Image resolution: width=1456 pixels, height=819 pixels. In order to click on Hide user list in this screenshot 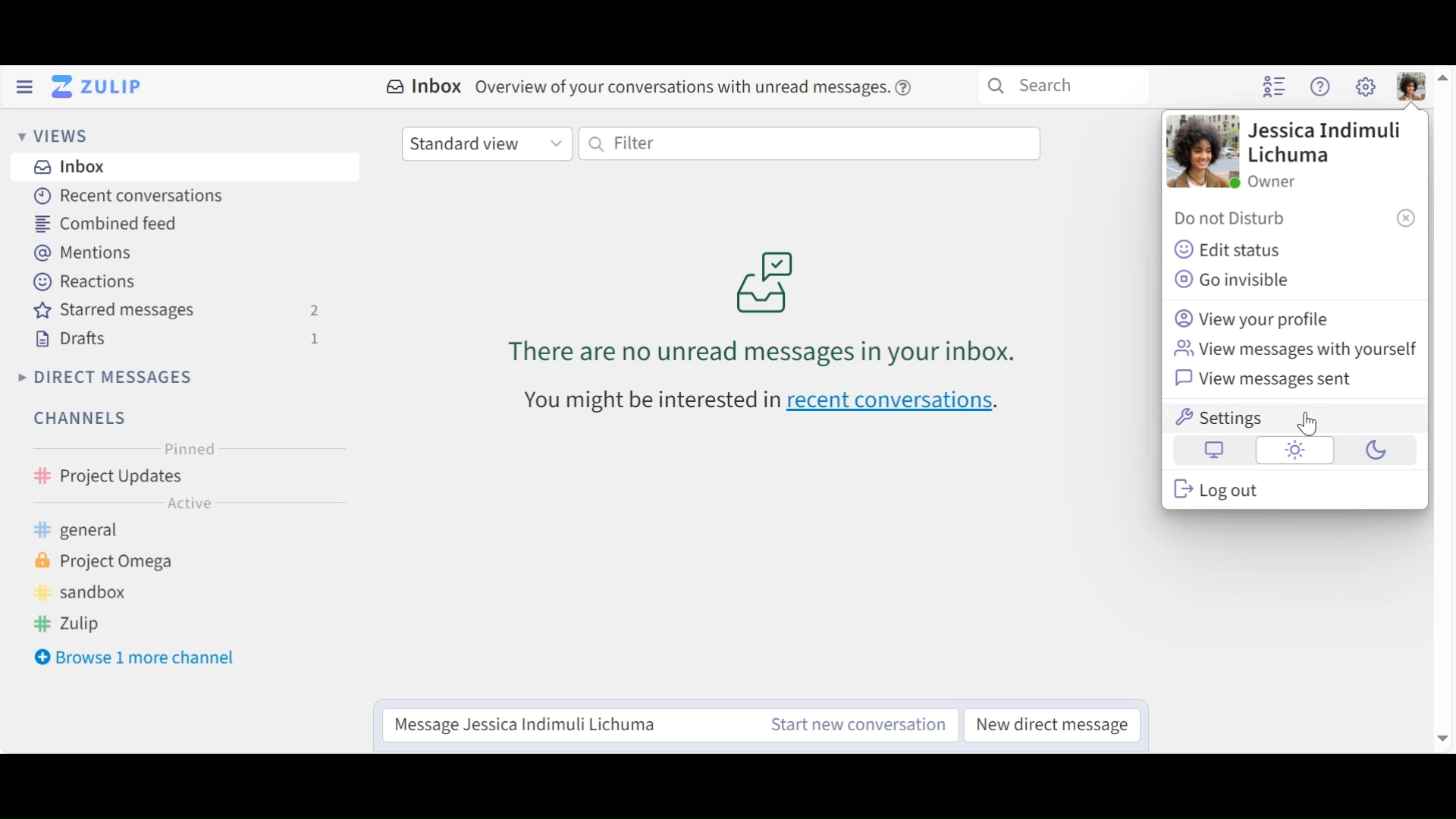, I will do `click(1275, 87)`.